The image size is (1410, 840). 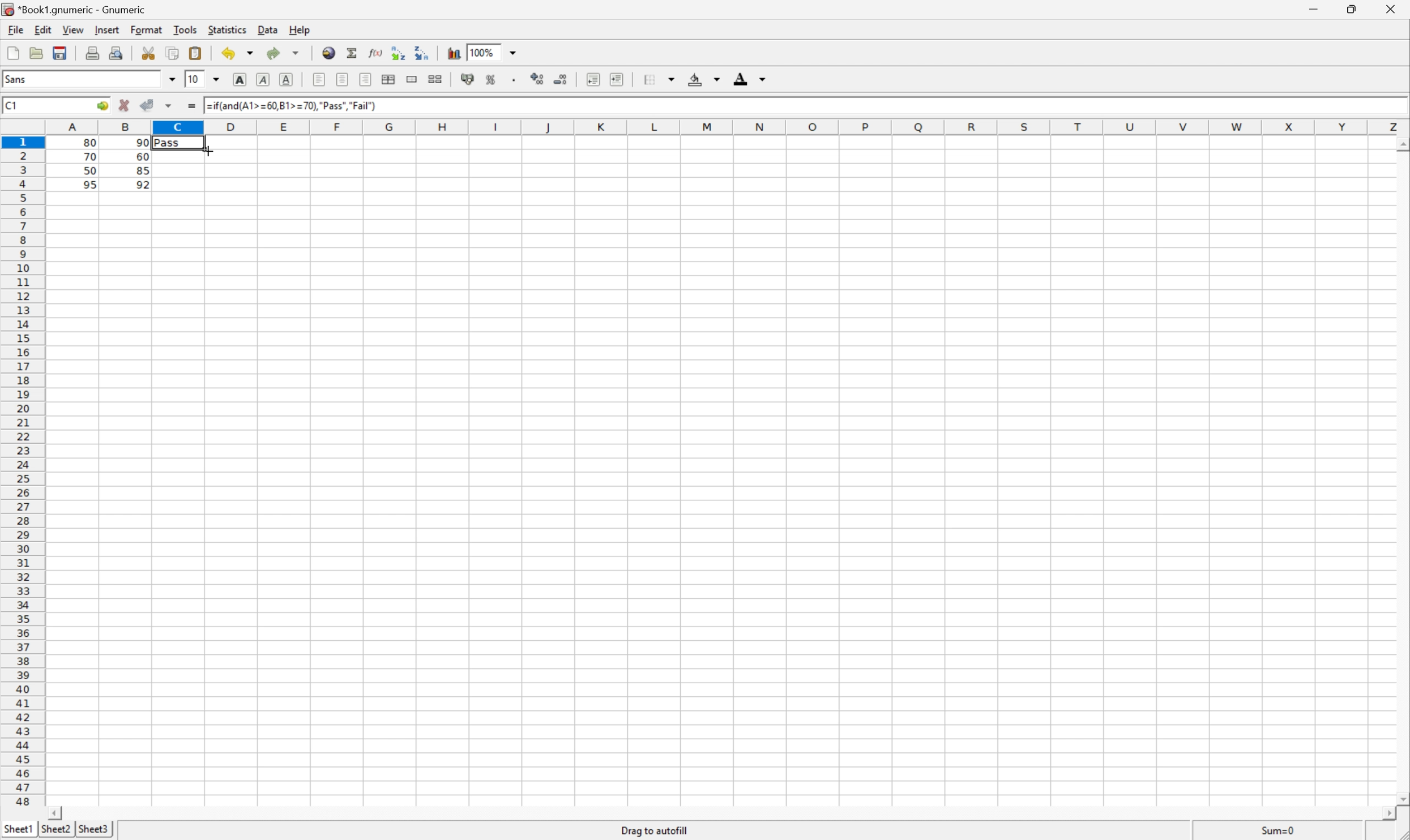 What do you see at coordinates (146, 28) in the screenshot?
I see `Format` at bounding box center [146, 28].